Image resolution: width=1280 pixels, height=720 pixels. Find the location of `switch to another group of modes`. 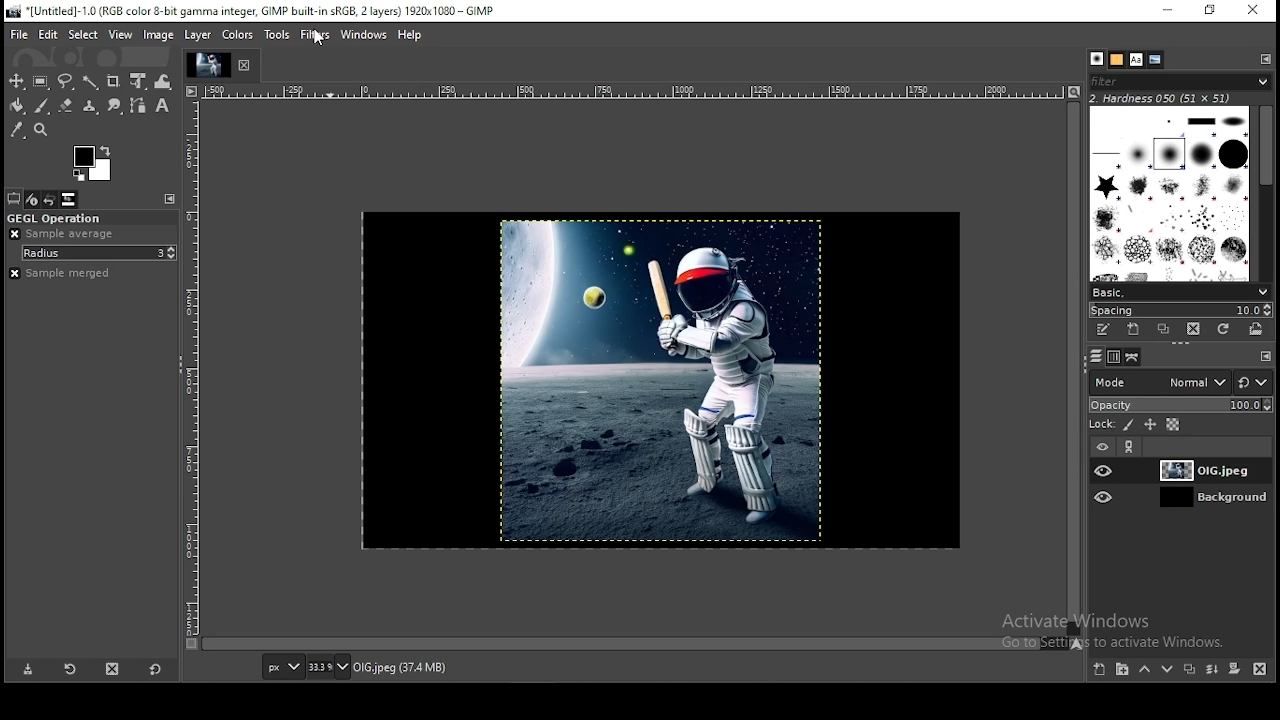

switch to another group of modes is located at coordinates (1253, 382).